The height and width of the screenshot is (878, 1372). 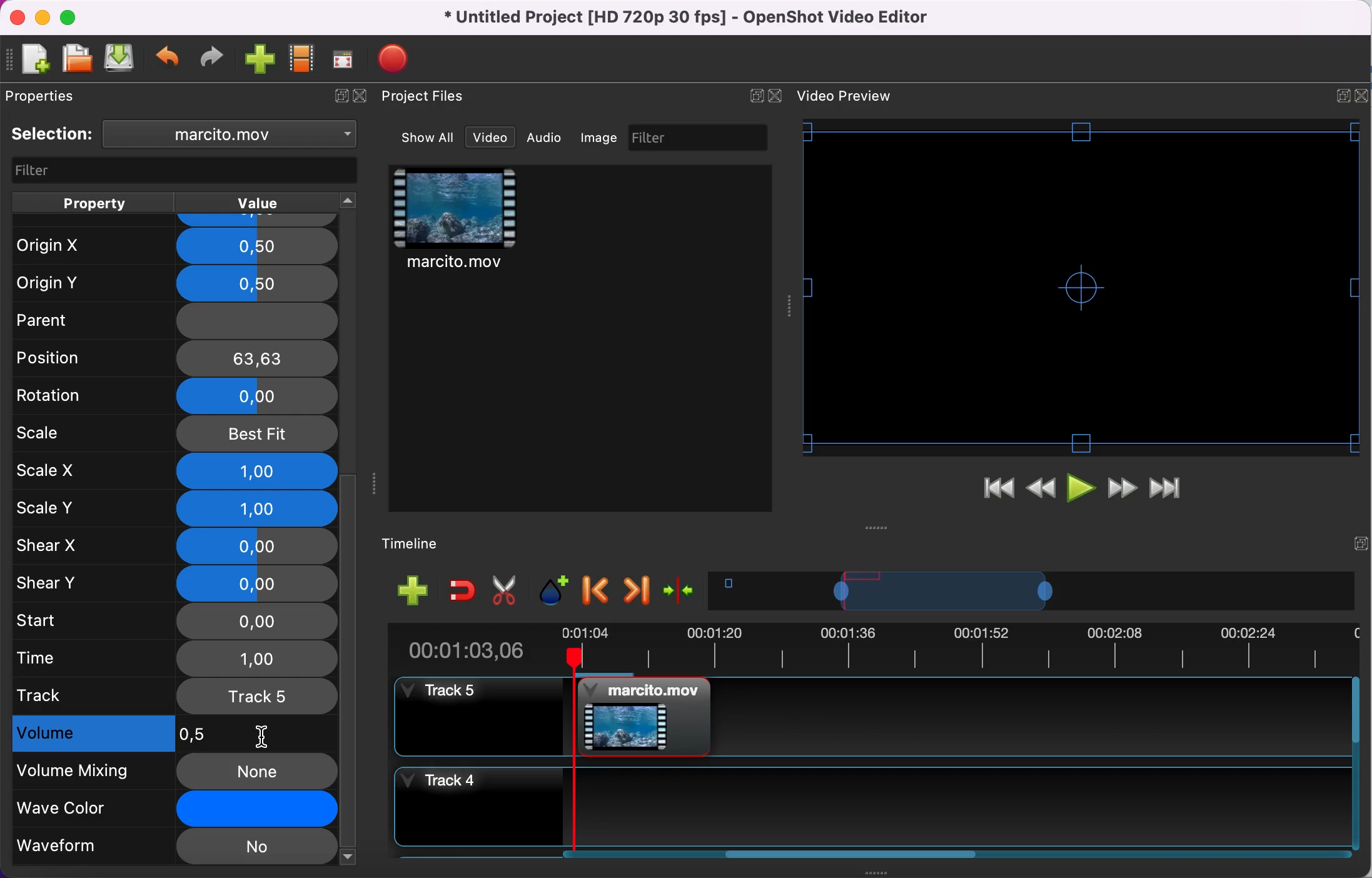 What do you see at coordinates (1361, 96) in the screenshot?
I see `Close` at bounding box center [1361, 96].